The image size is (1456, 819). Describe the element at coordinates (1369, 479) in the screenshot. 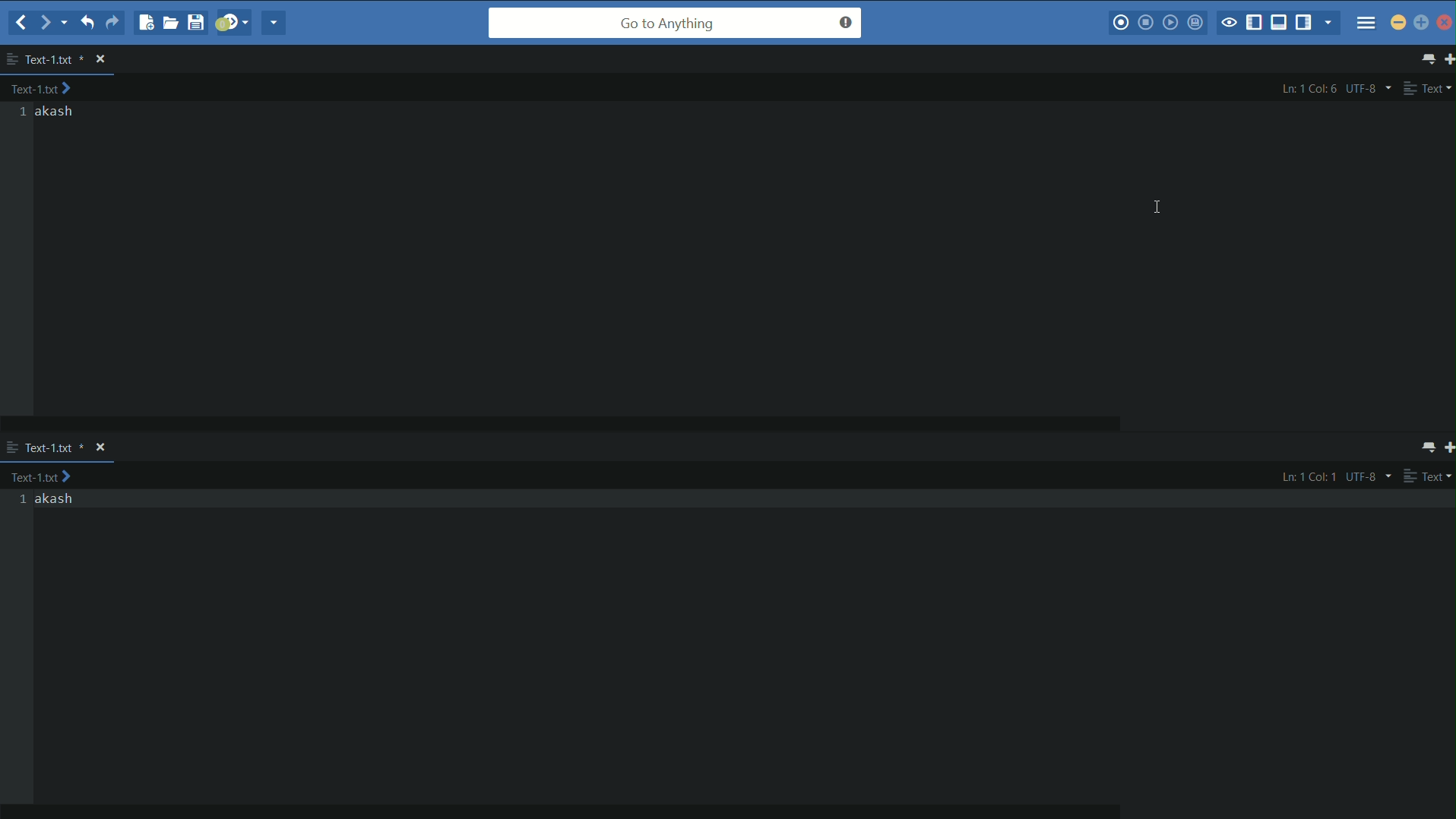

I see `line encoding` at that location.